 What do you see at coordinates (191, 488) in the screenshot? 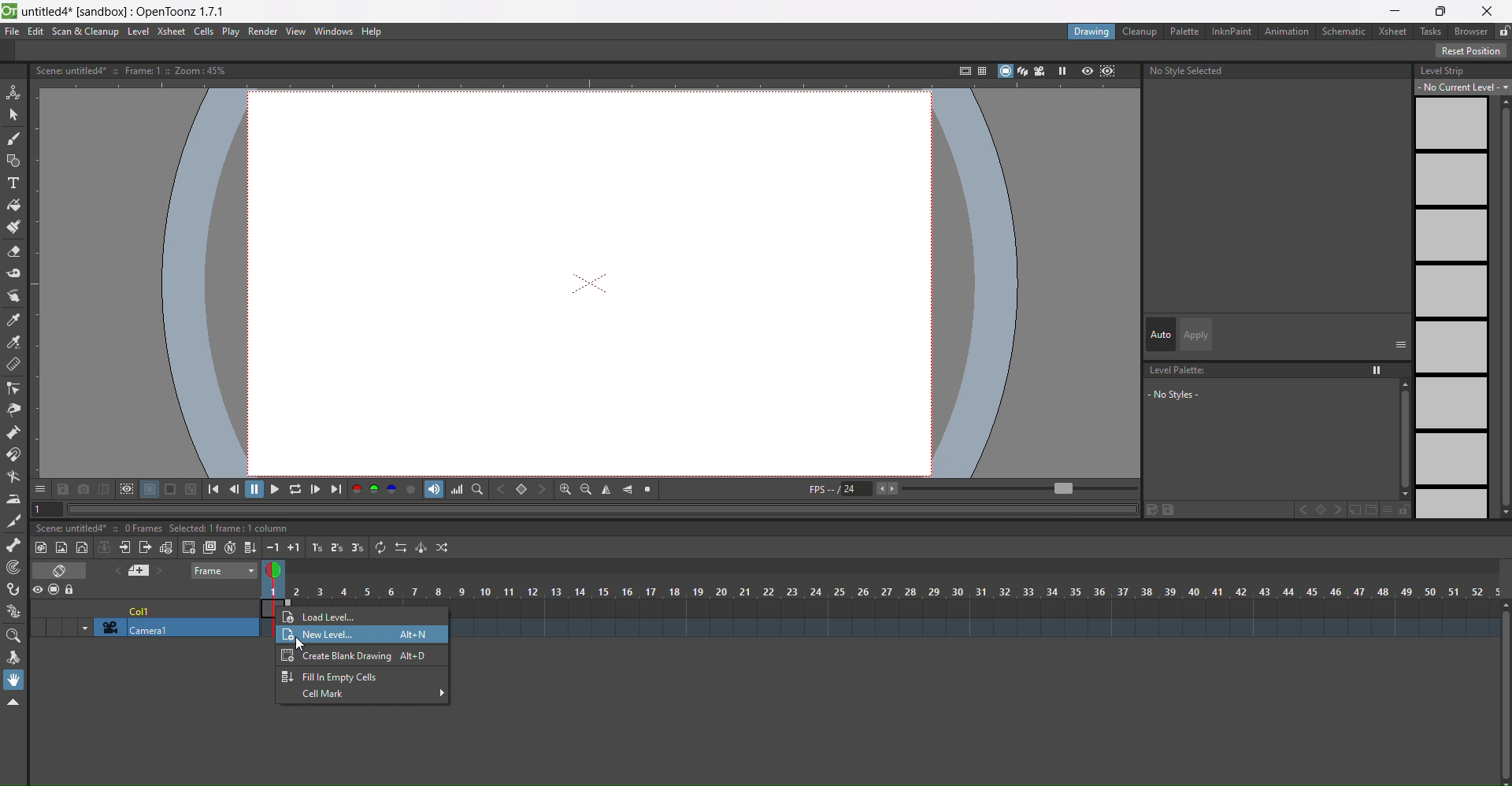
I see `tool` at bounding box center [191, 488].